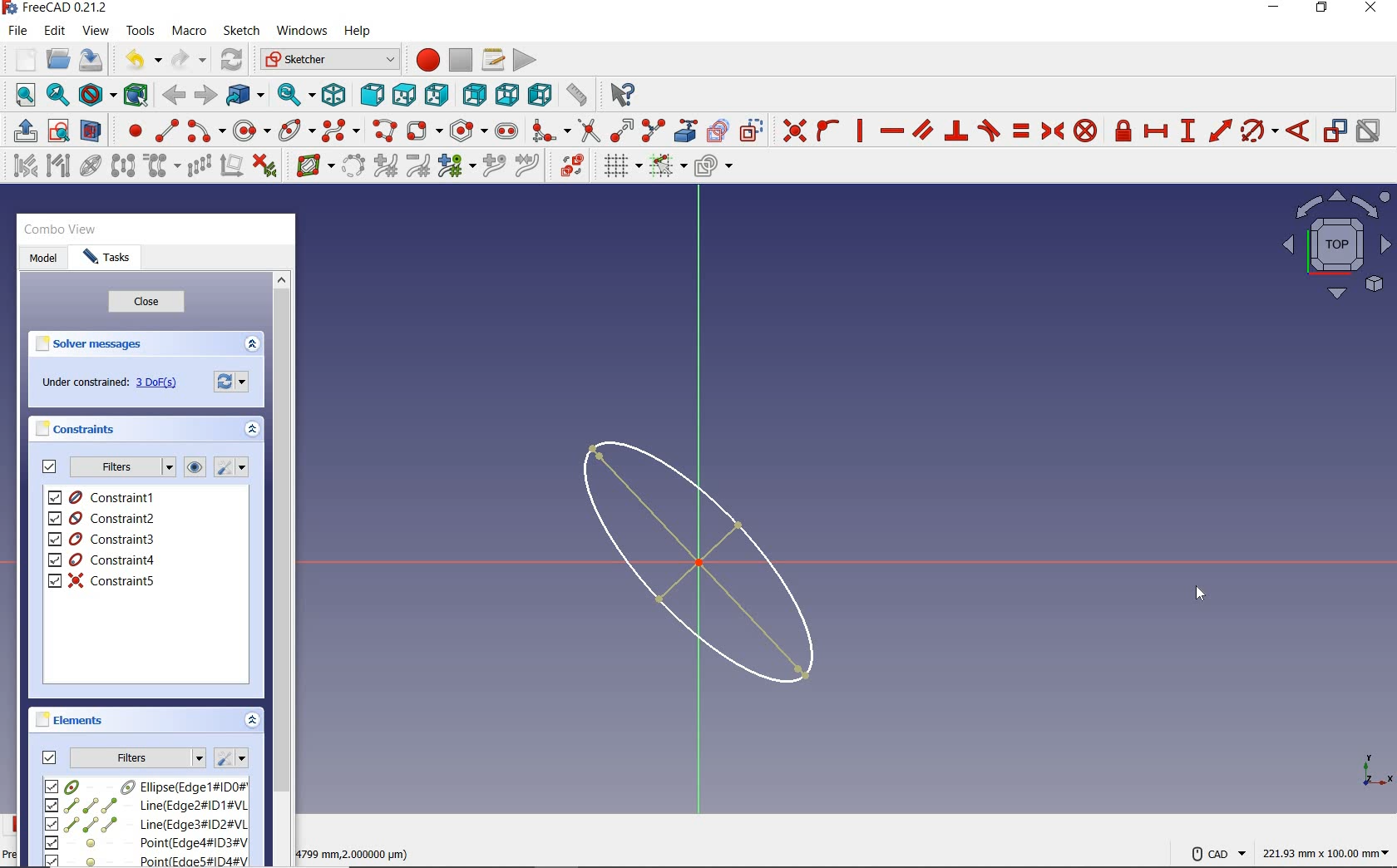 Image resolution: width=1397 pixels, height=868 pixels. Describe the element at coordinates (1084, 130) in the screenshot. I see `constrain block` at that location.